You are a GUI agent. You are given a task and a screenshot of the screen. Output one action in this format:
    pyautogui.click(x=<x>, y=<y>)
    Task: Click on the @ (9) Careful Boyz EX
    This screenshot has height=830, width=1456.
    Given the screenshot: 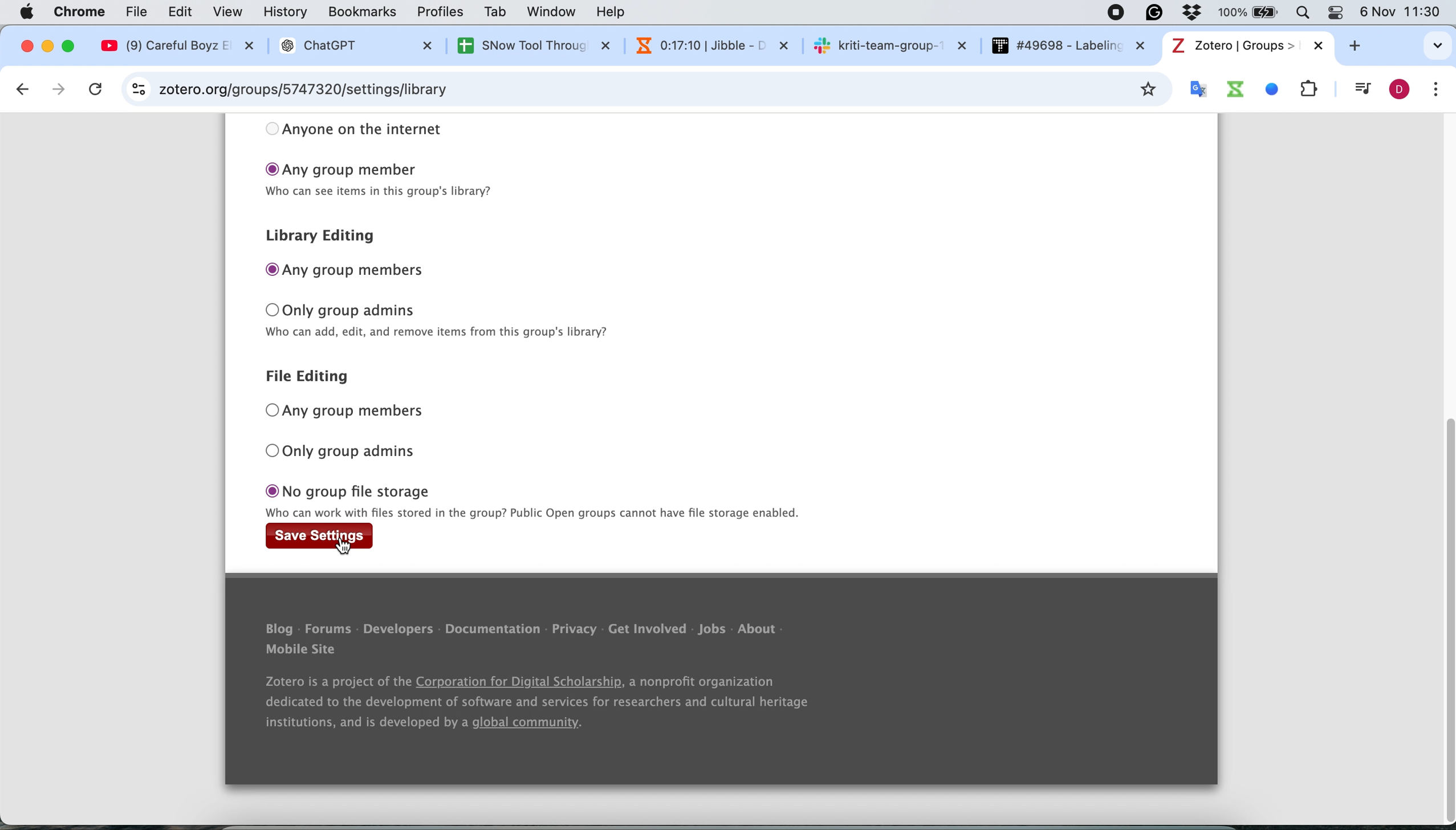 What is the action you would take?
    pyautogui.click(x=184, y=46)
    